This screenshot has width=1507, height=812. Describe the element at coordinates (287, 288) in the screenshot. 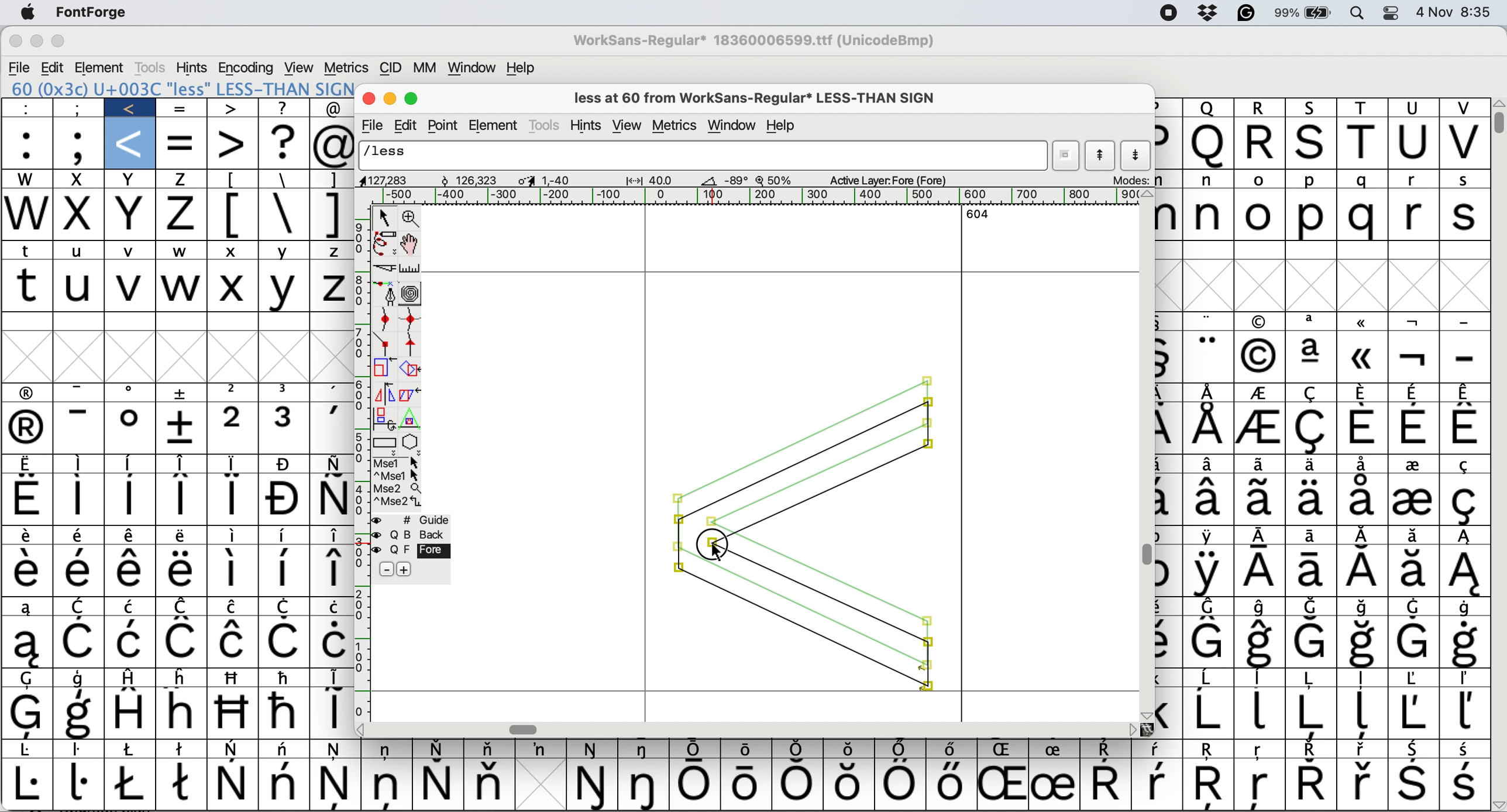

I see `Y` at that location.